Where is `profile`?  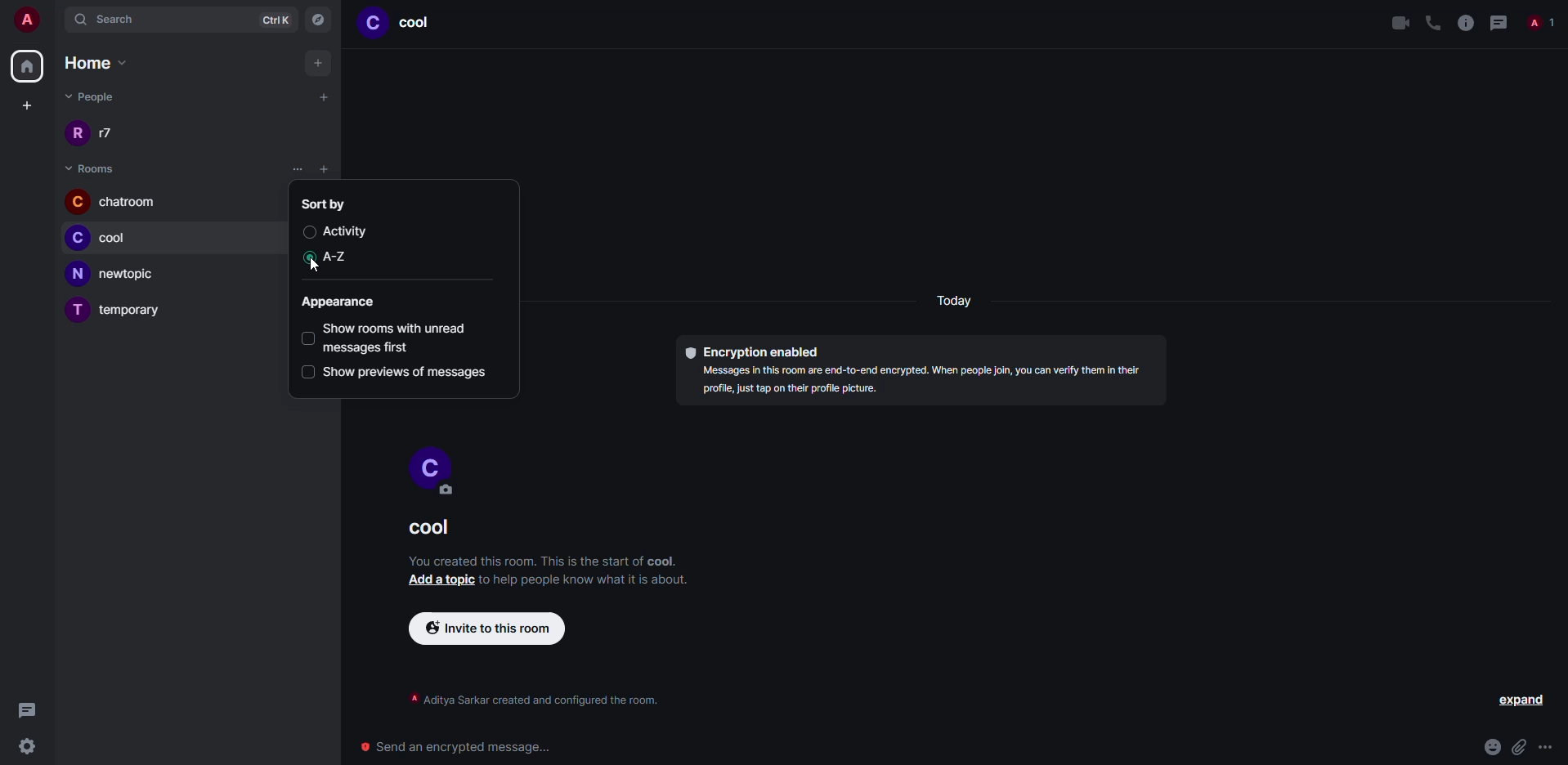
profile is located at coordinates (72, 238).